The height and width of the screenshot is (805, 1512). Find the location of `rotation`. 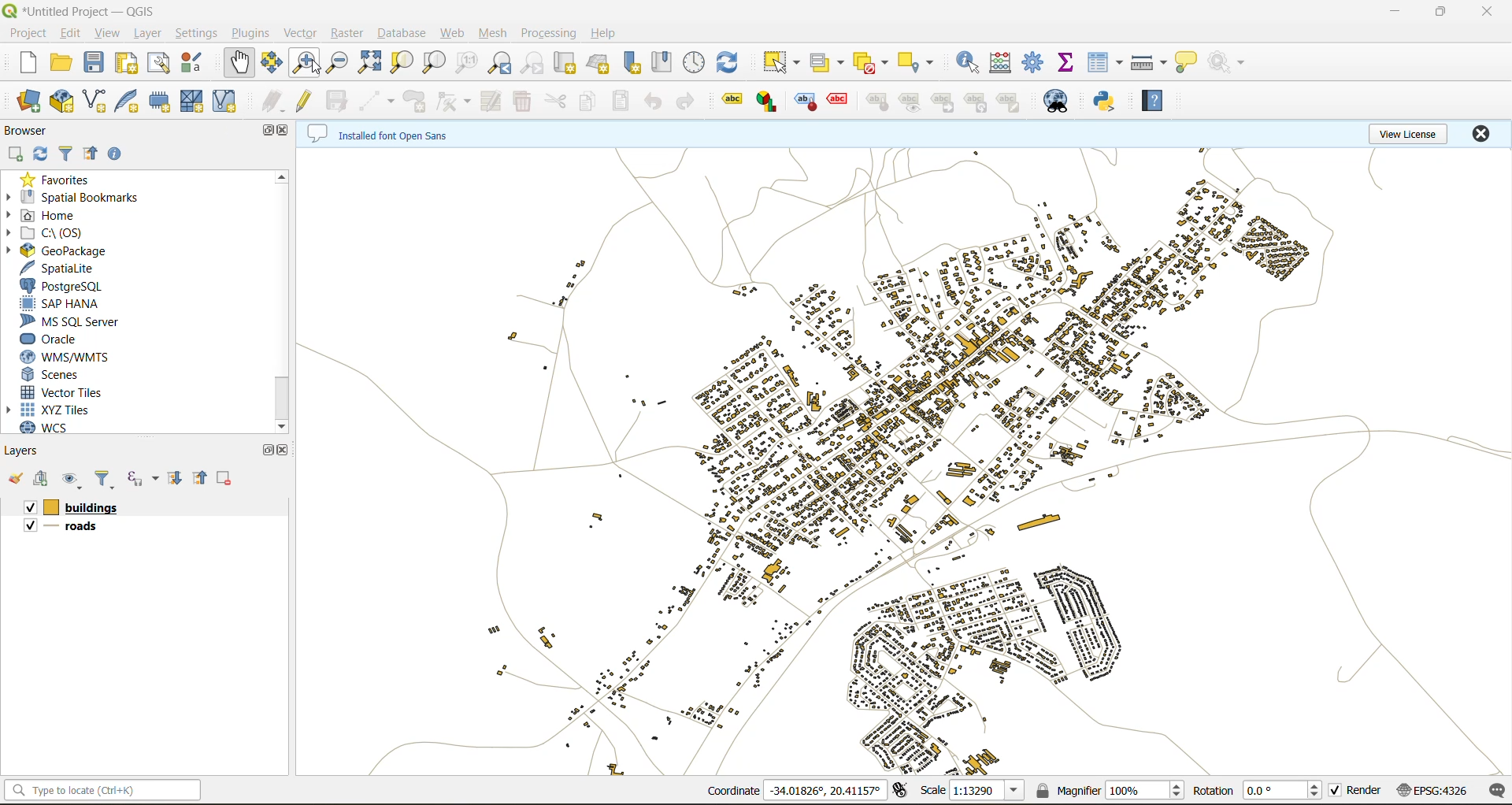

rotation is located at coordinates (1257, 791).